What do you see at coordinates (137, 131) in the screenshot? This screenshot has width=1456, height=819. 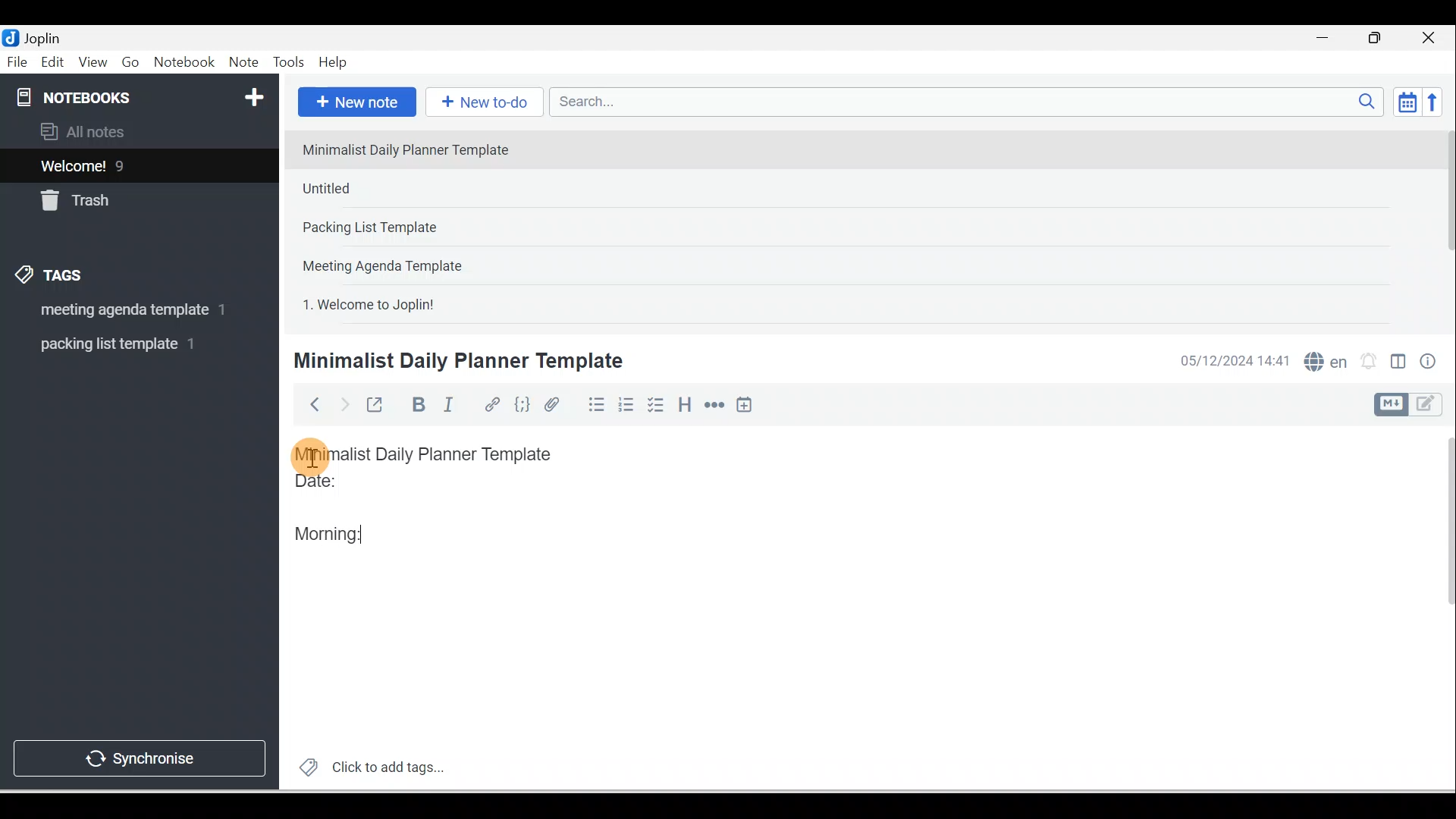 I see `All notes` at bounding box center [137, 131].